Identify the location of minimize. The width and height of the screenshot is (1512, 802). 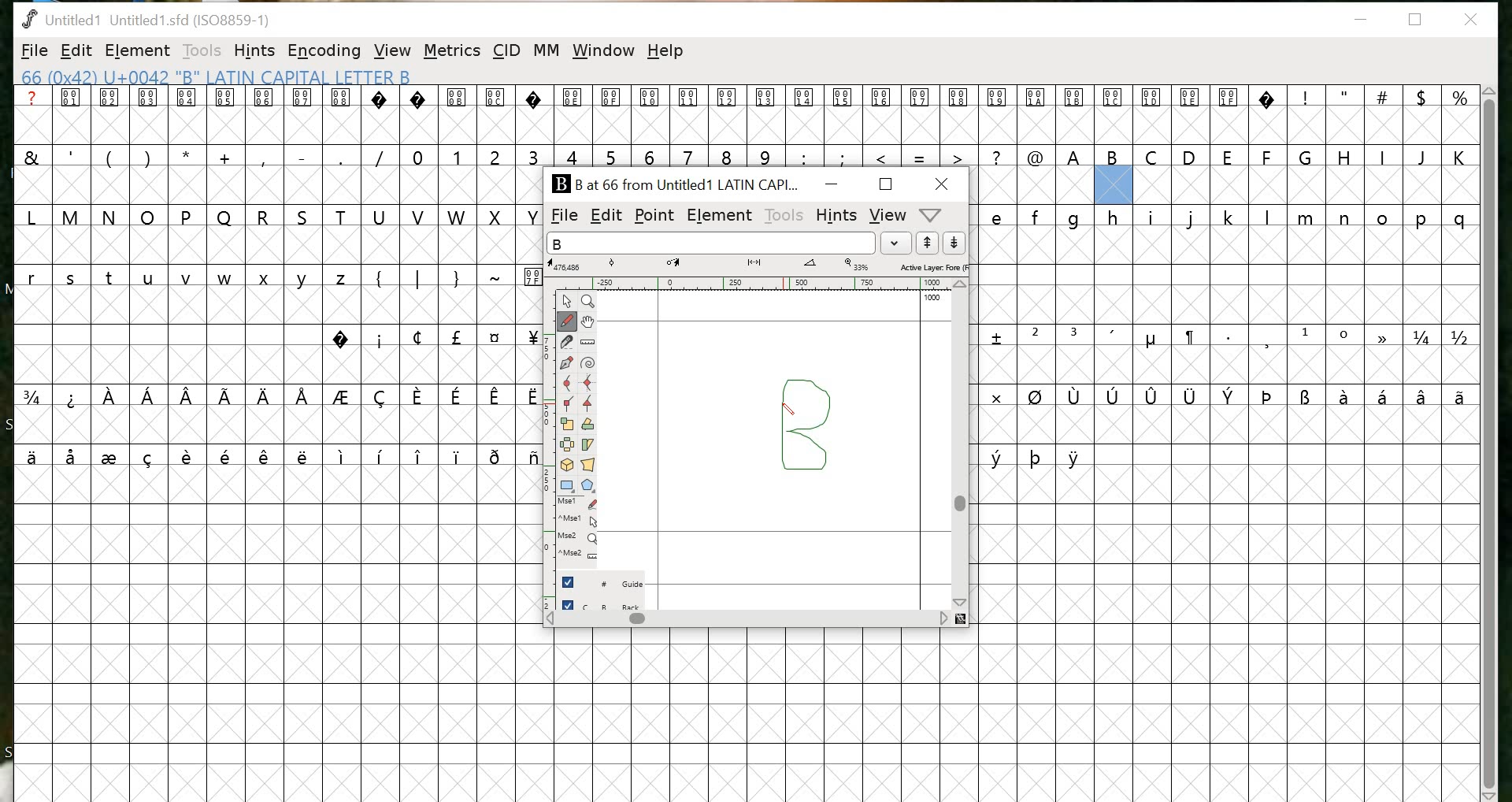
(1366, 20).